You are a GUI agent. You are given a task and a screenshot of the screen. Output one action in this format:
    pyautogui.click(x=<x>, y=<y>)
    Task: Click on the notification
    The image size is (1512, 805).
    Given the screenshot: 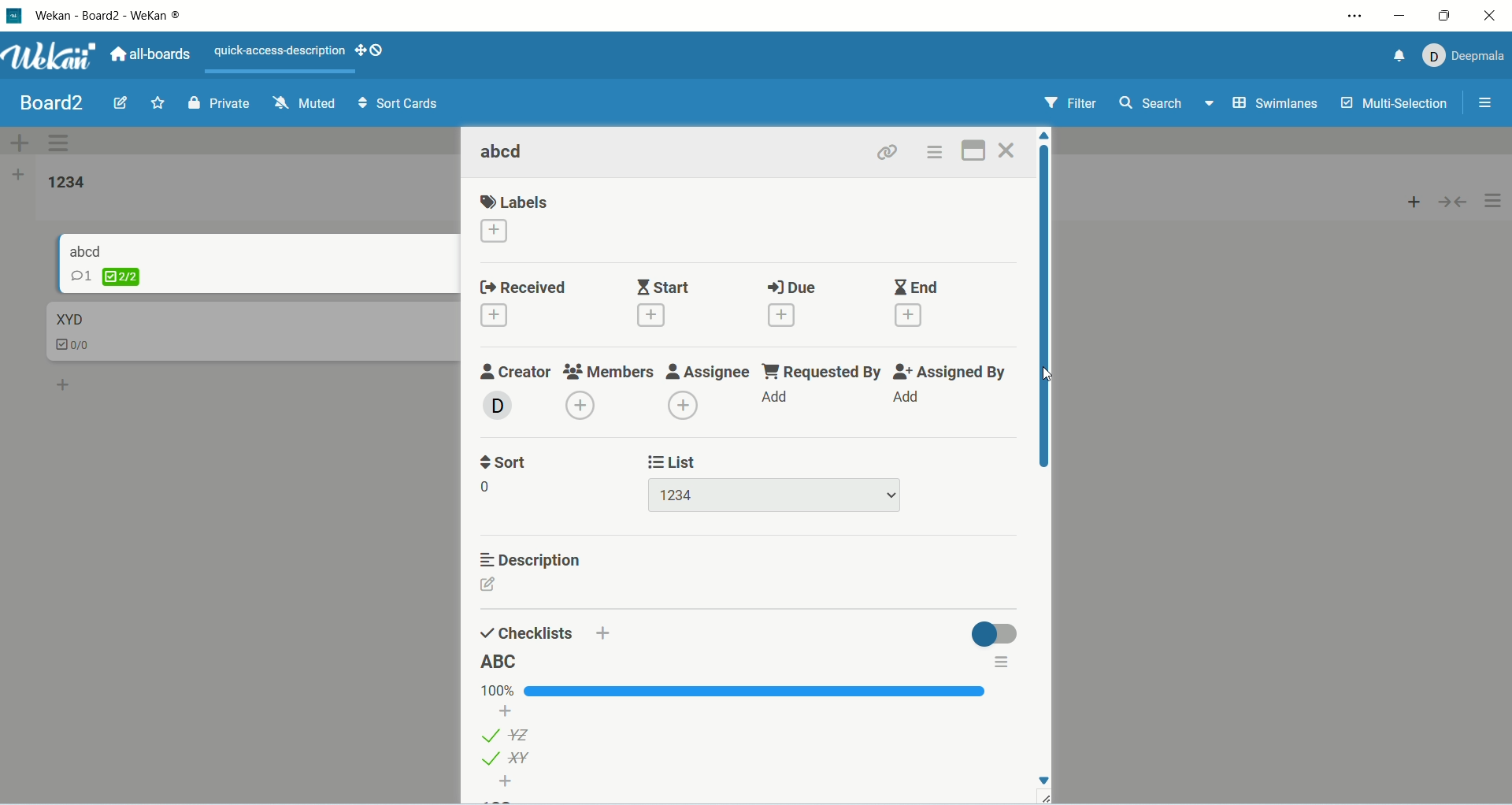 What is the action you would take?
    pyautogui.click(x=1395, y=58)
    